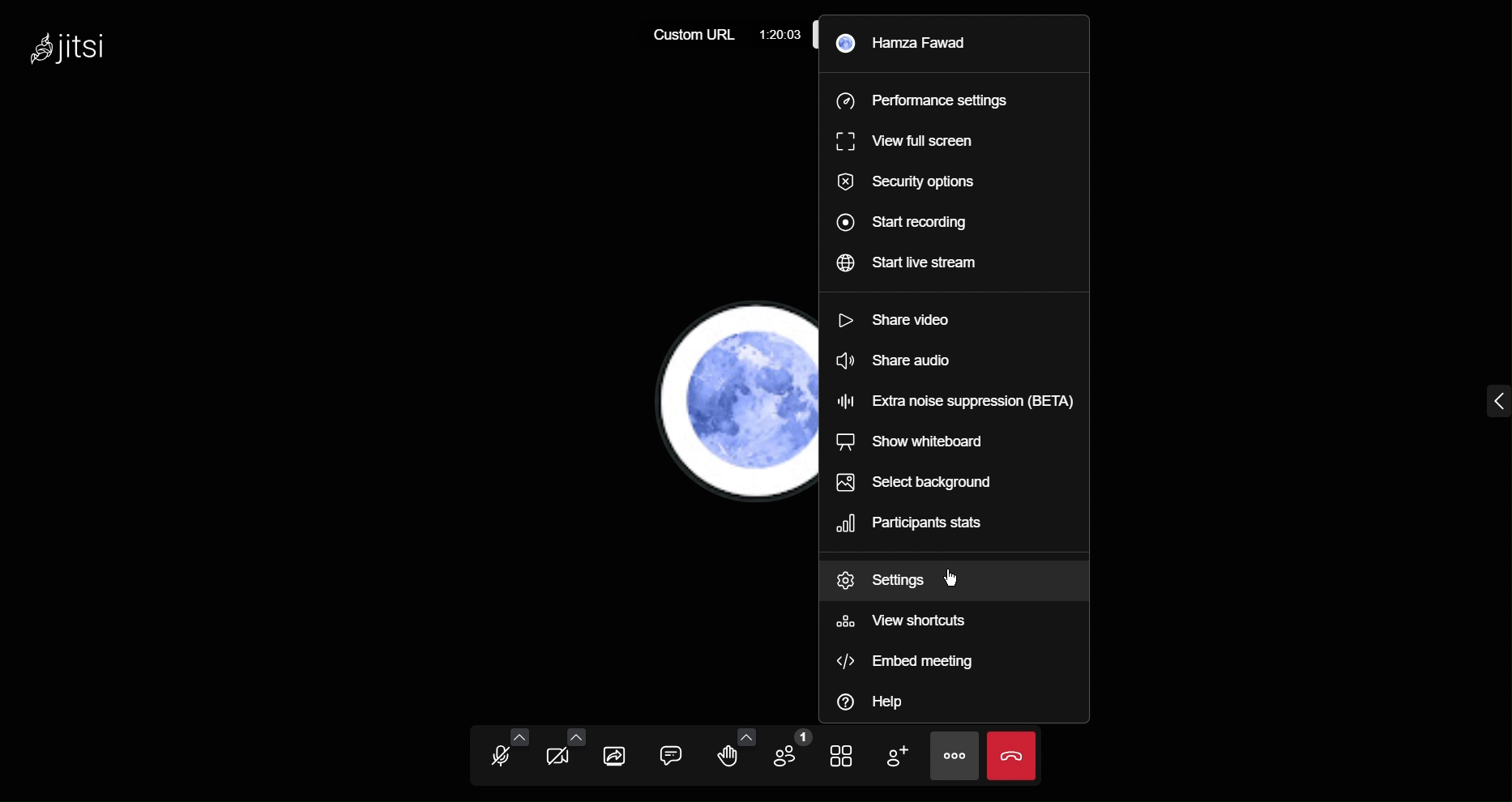 The image size is (1512, 802). I want to click on Hamza Fawad, so click(918, 45).